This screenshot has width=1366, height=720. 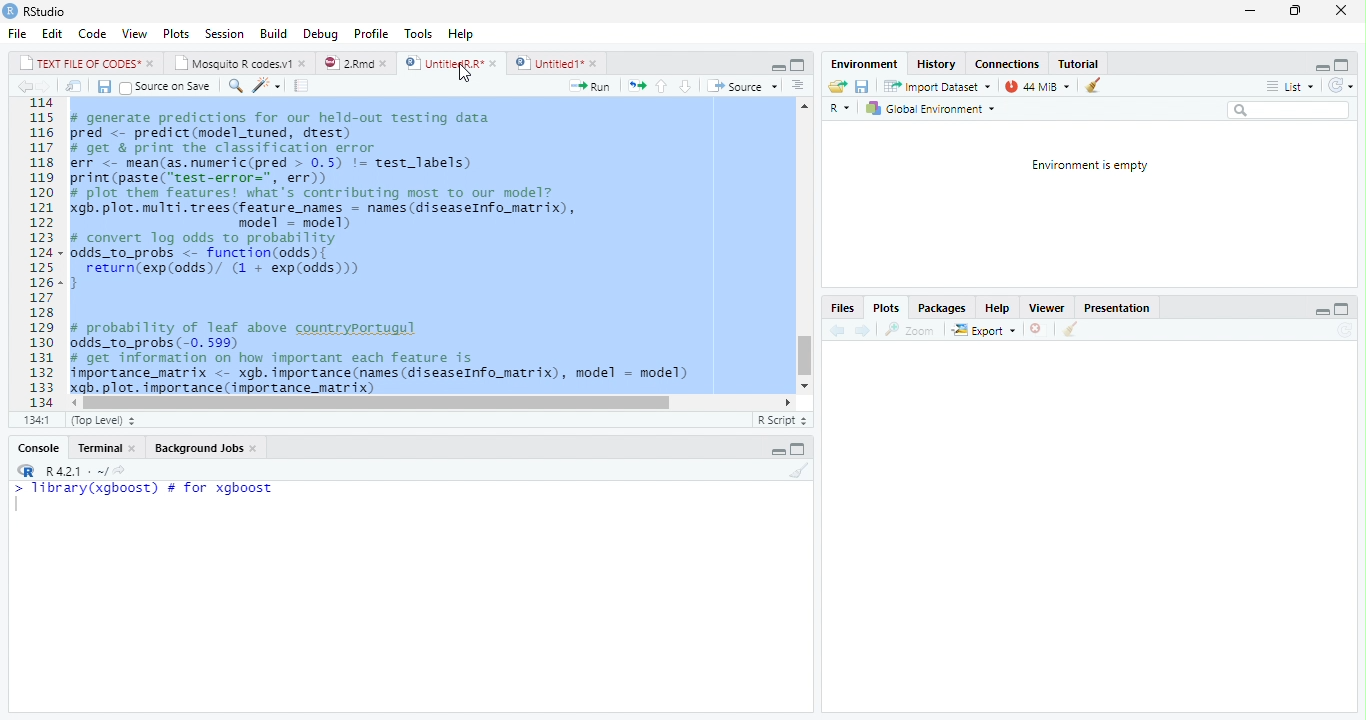 I want to click on Clean, so click(x=1092, y=86).